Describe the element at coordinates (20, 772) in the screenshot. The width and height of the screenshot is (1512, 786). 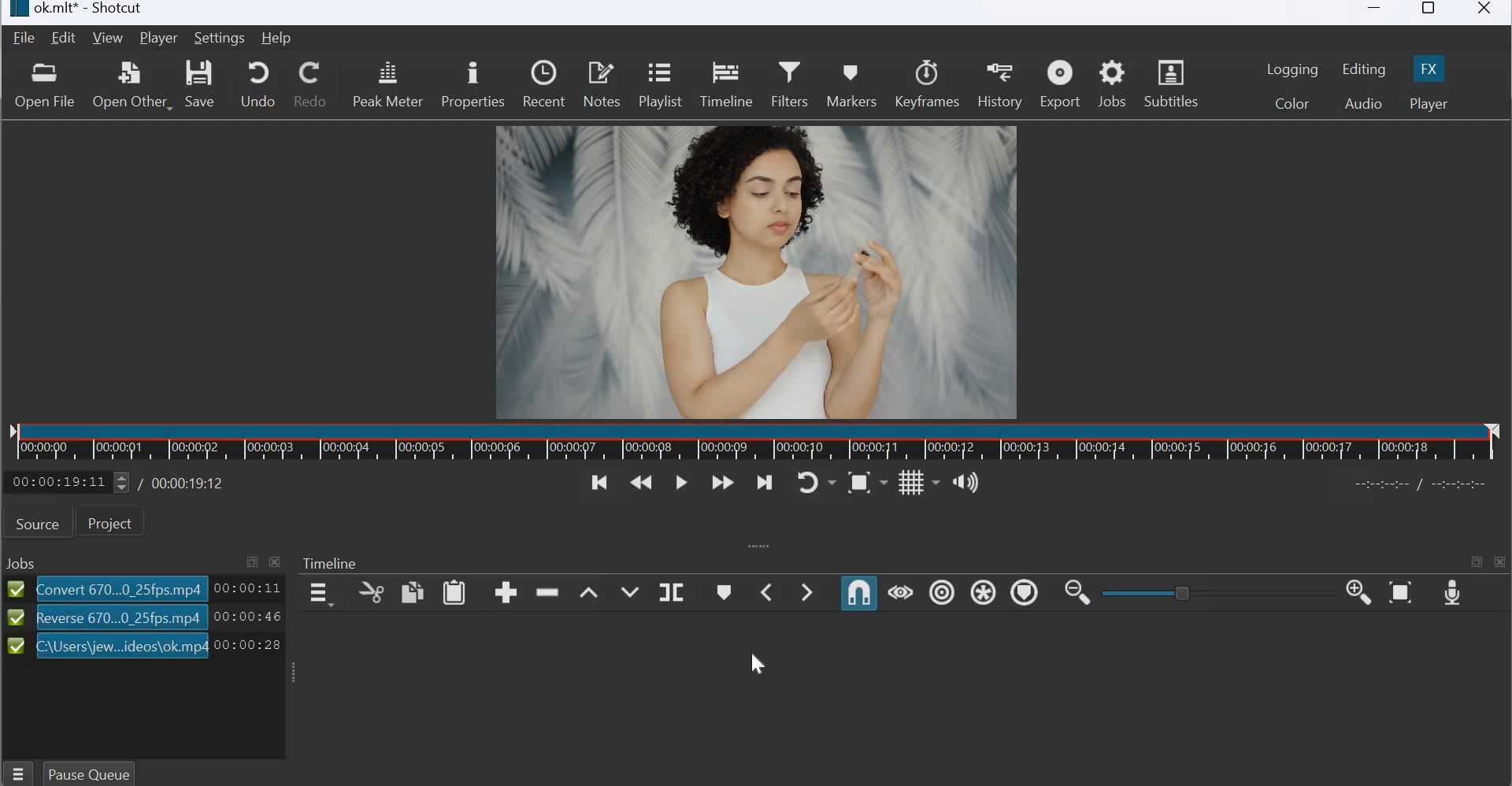
I see `Menu` at that location.